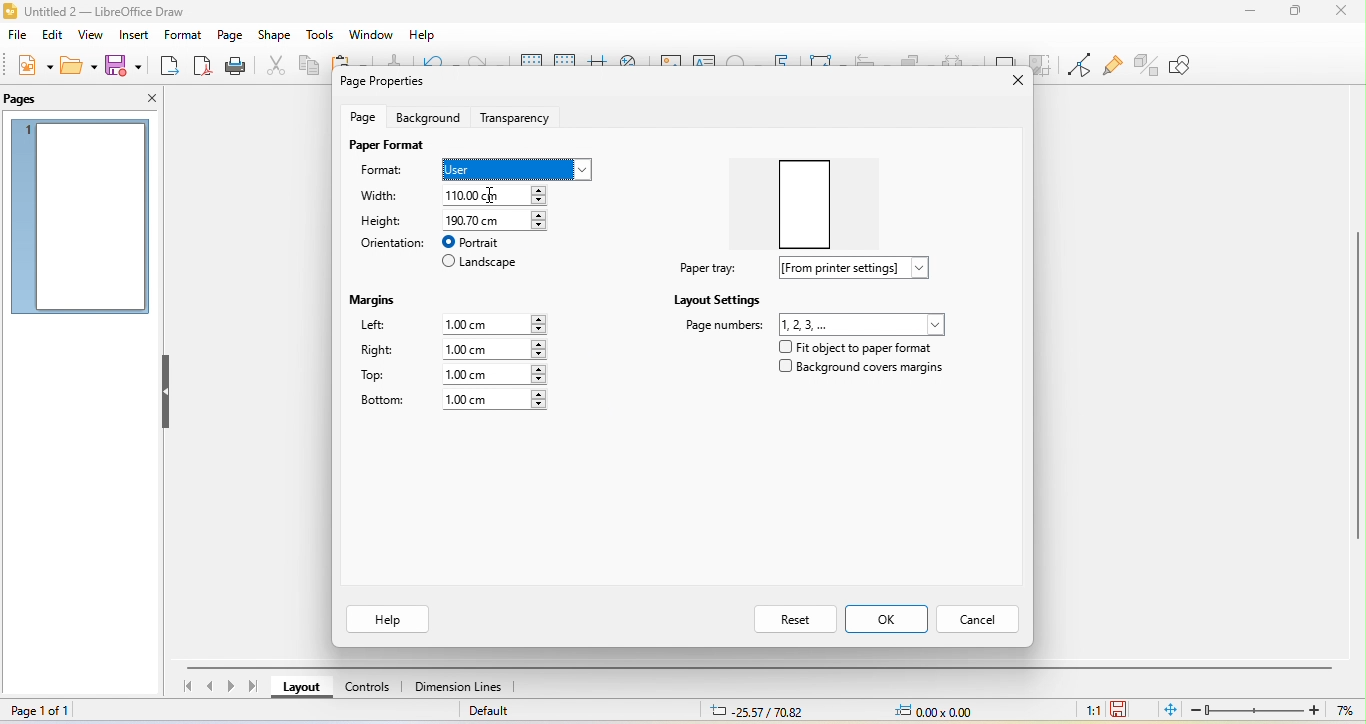  I want to click on shape, so click(275, 36).